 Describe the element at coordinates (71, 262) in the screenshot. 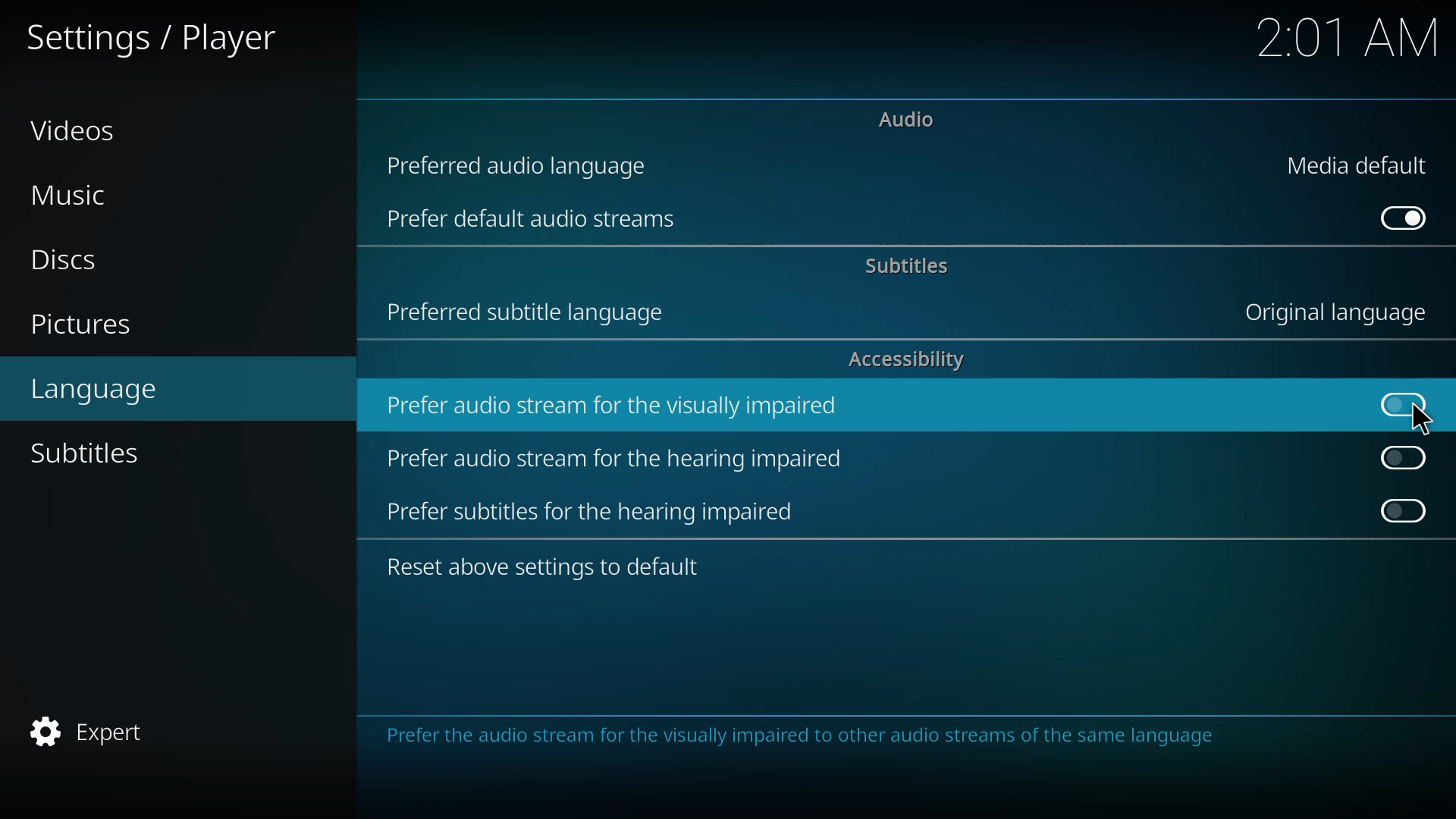

I see `discs` at that location.